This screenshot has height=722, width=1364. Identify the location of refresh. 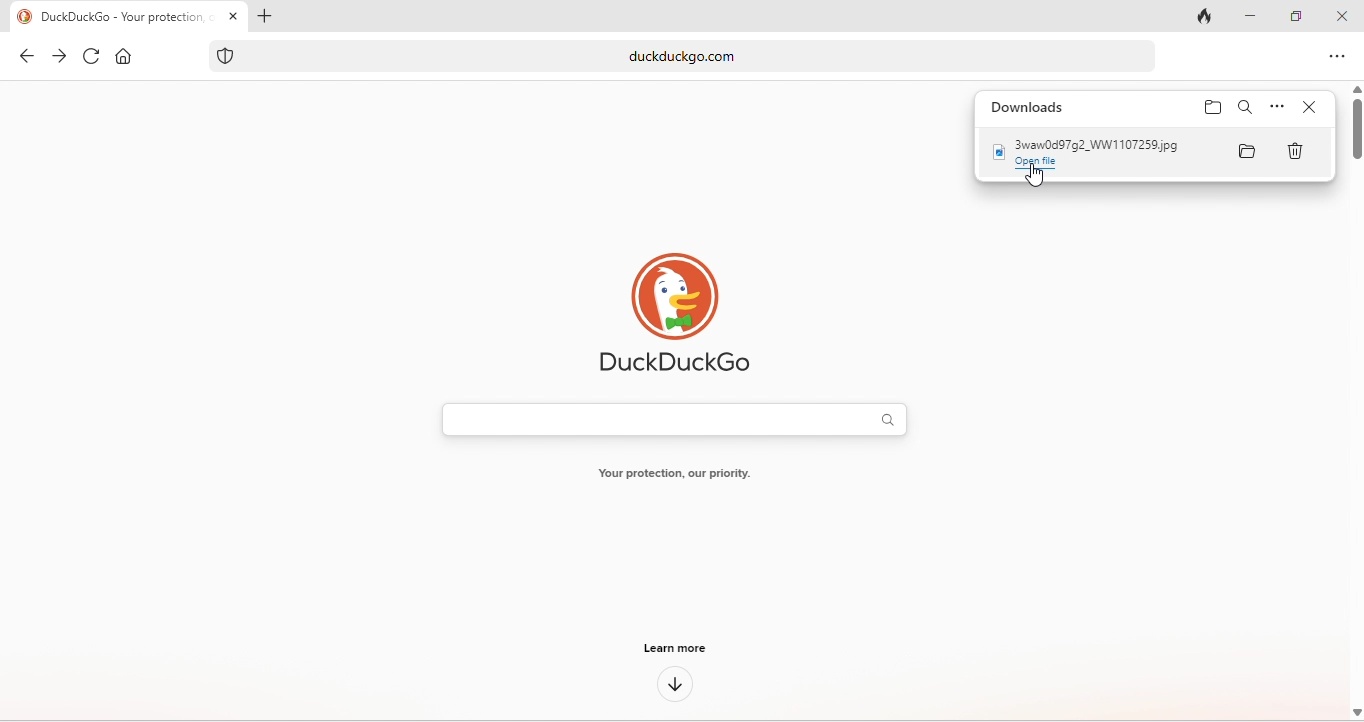
(90, 57).